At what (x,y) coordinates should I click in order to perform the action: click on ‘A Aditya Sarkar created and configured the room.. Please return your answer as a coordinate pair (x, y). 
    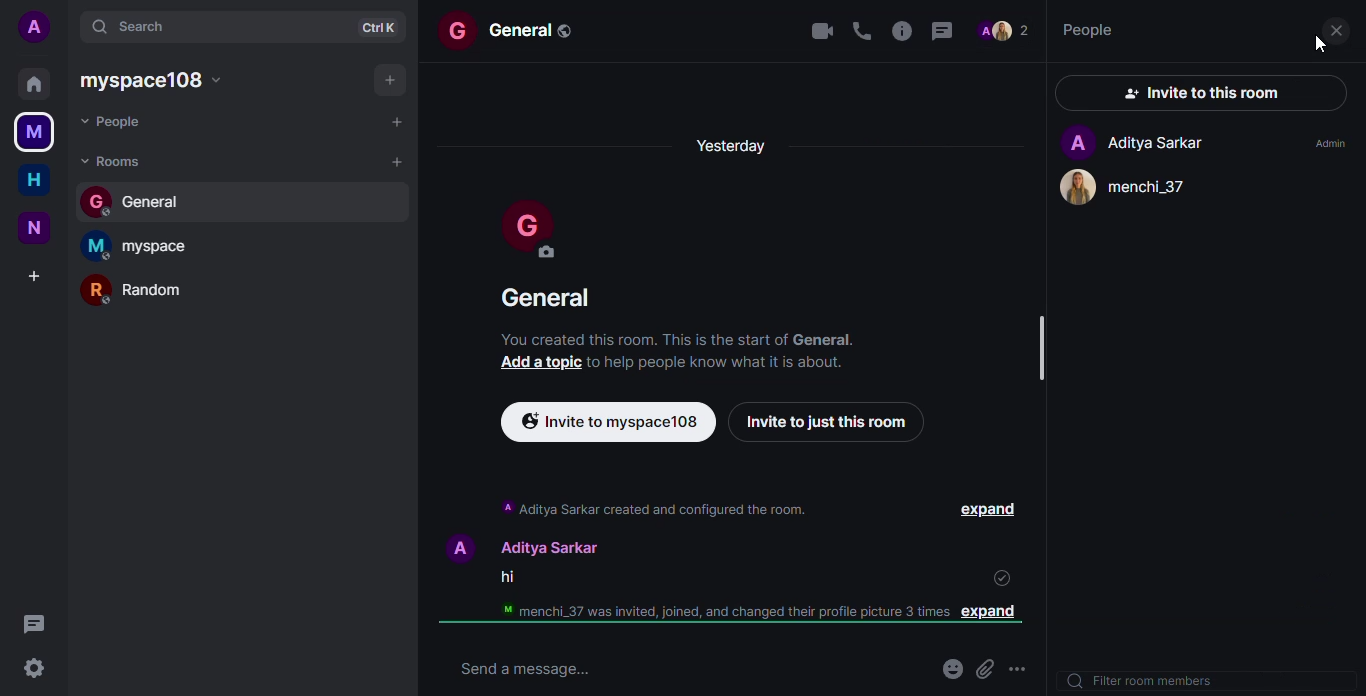
    Looking at the image, I should click on (654, 508).